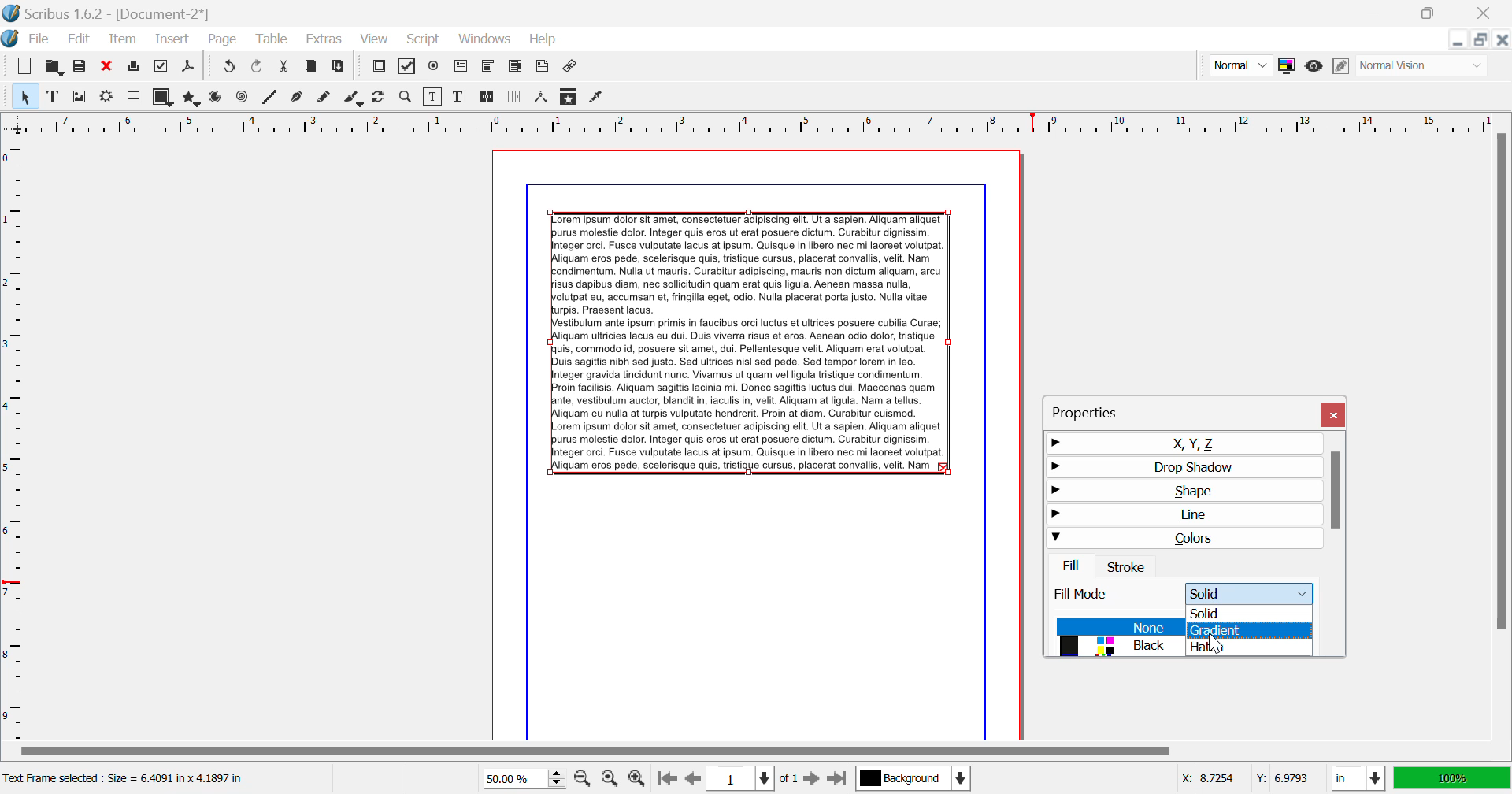 This screenshot has width=1512, height=794. I want to click on Cursor Position, so click(1213, 639).